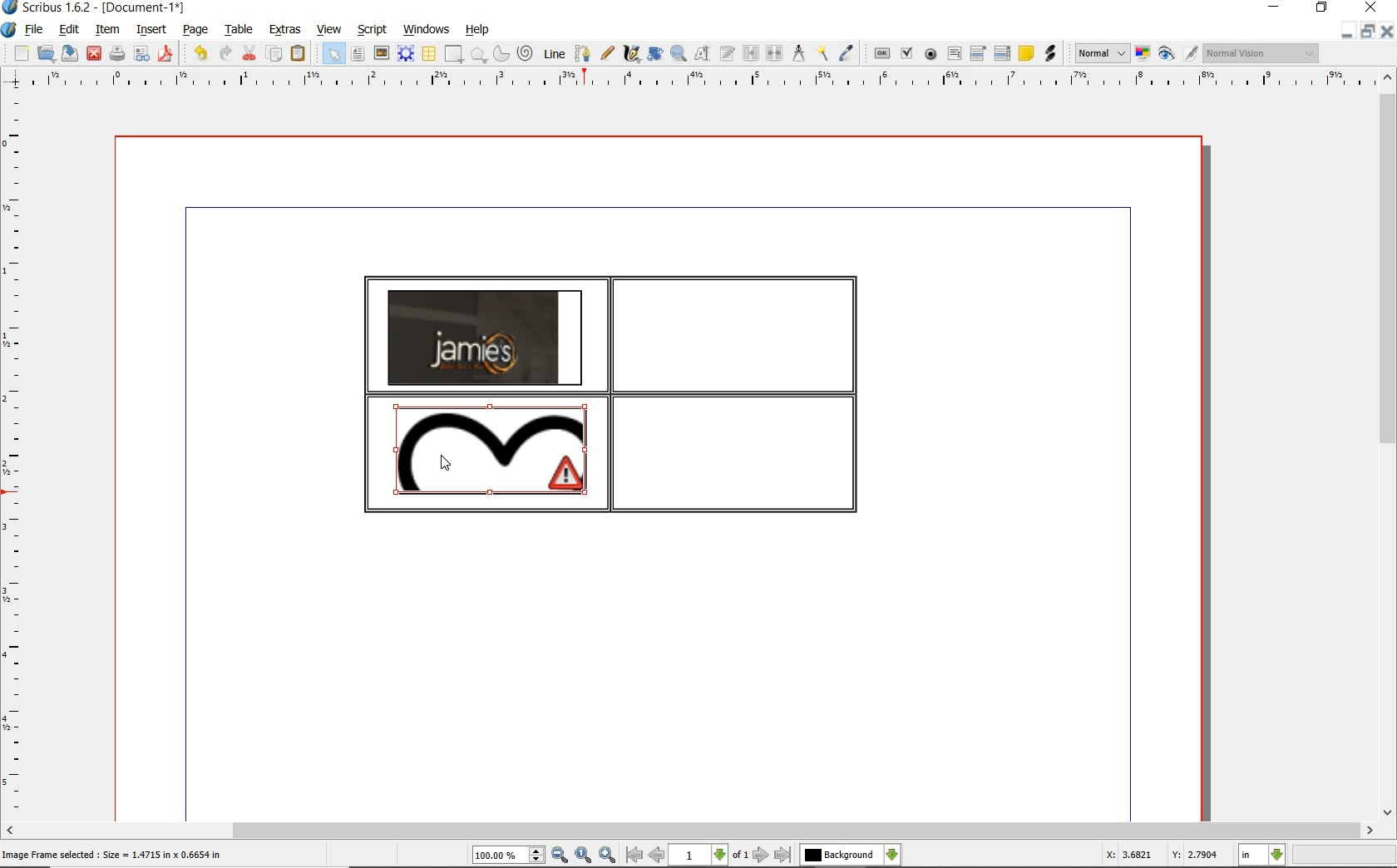  What do you see at coordinates (526, 54) in the screenshot?
I see `spiral` at bounding box center [526, 54].